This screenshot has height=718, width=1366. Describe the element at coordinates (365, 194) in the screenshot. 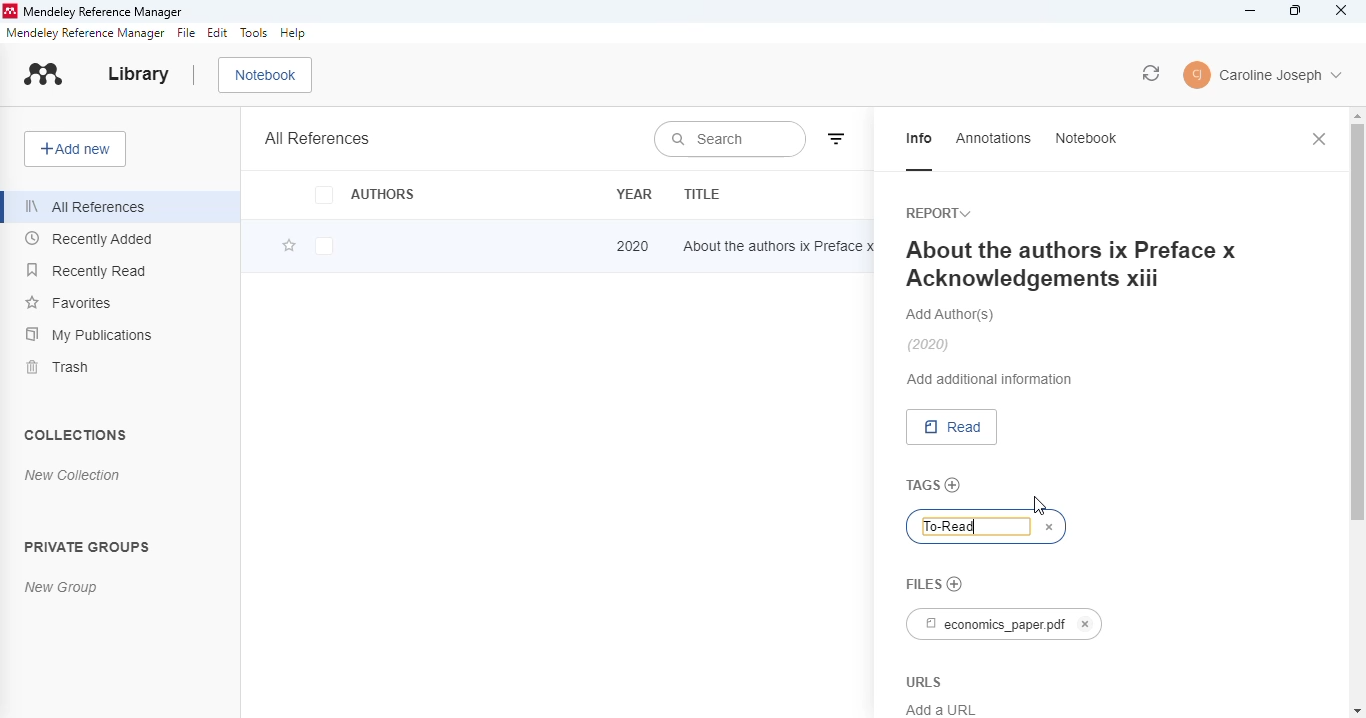

I see `authors` at that location.